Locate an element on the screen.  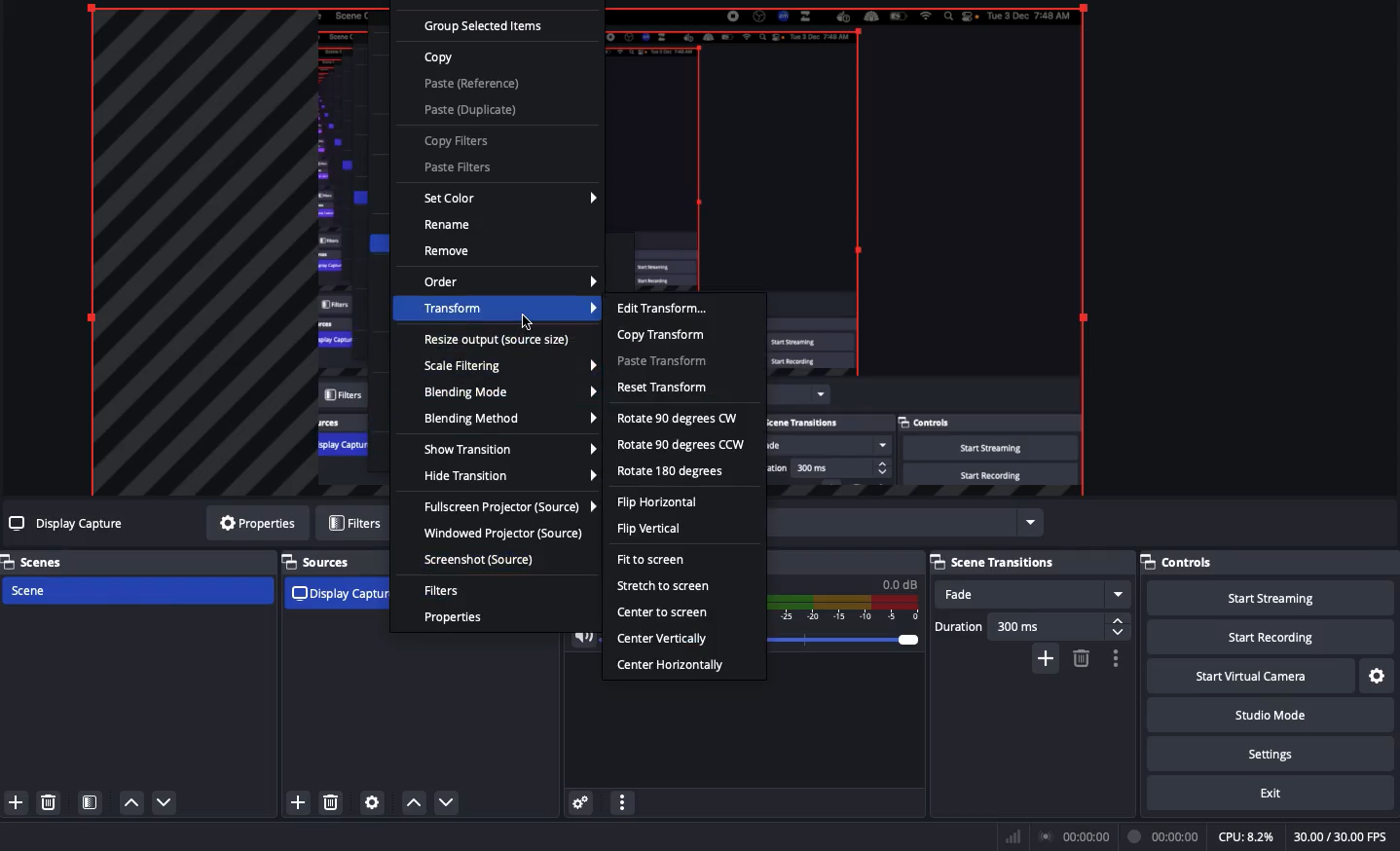
Settings is located at coordinates (1377, 676).